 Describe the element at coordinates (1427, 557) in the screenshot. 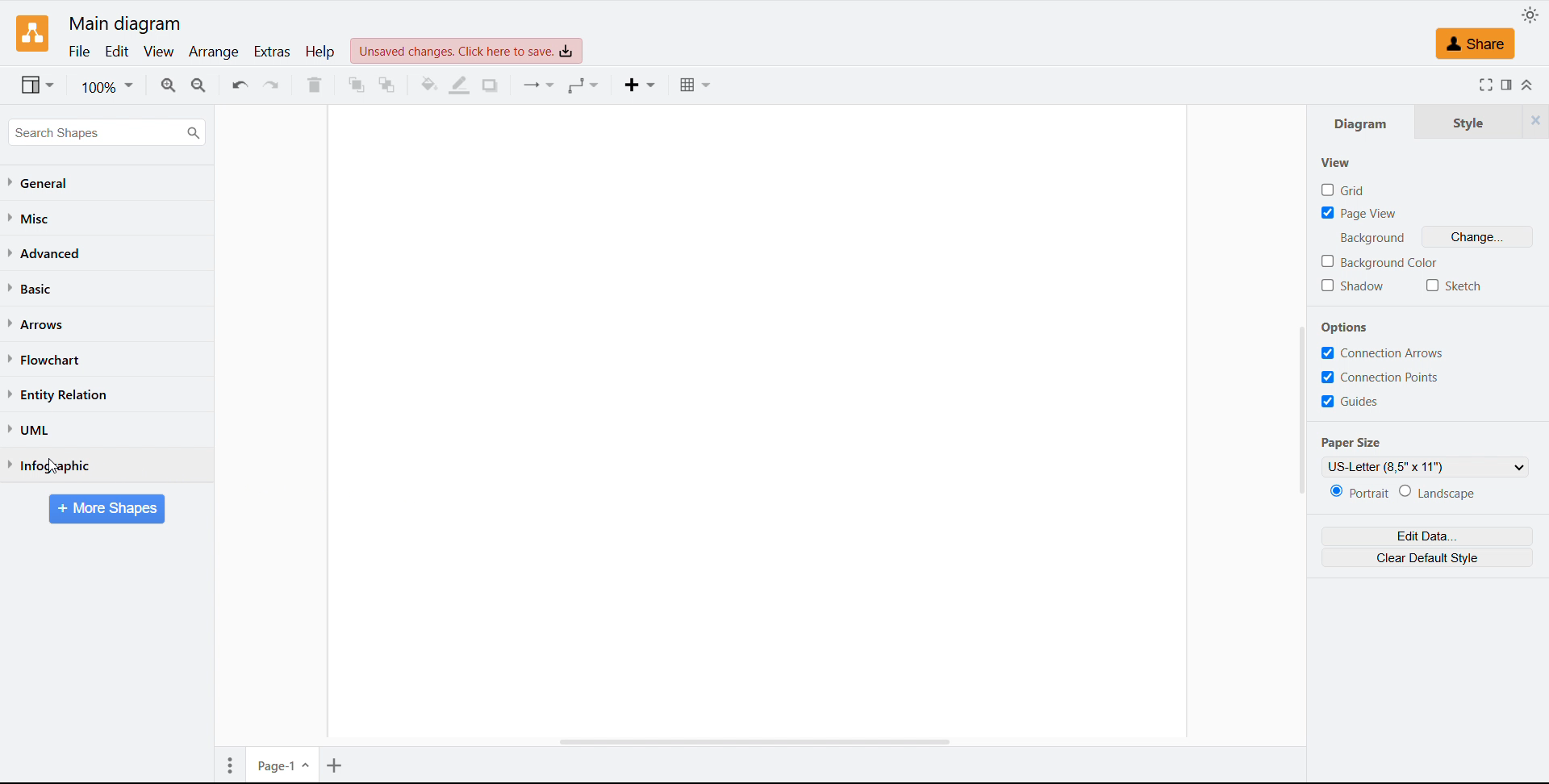

I see `Clear default style ` at that location.